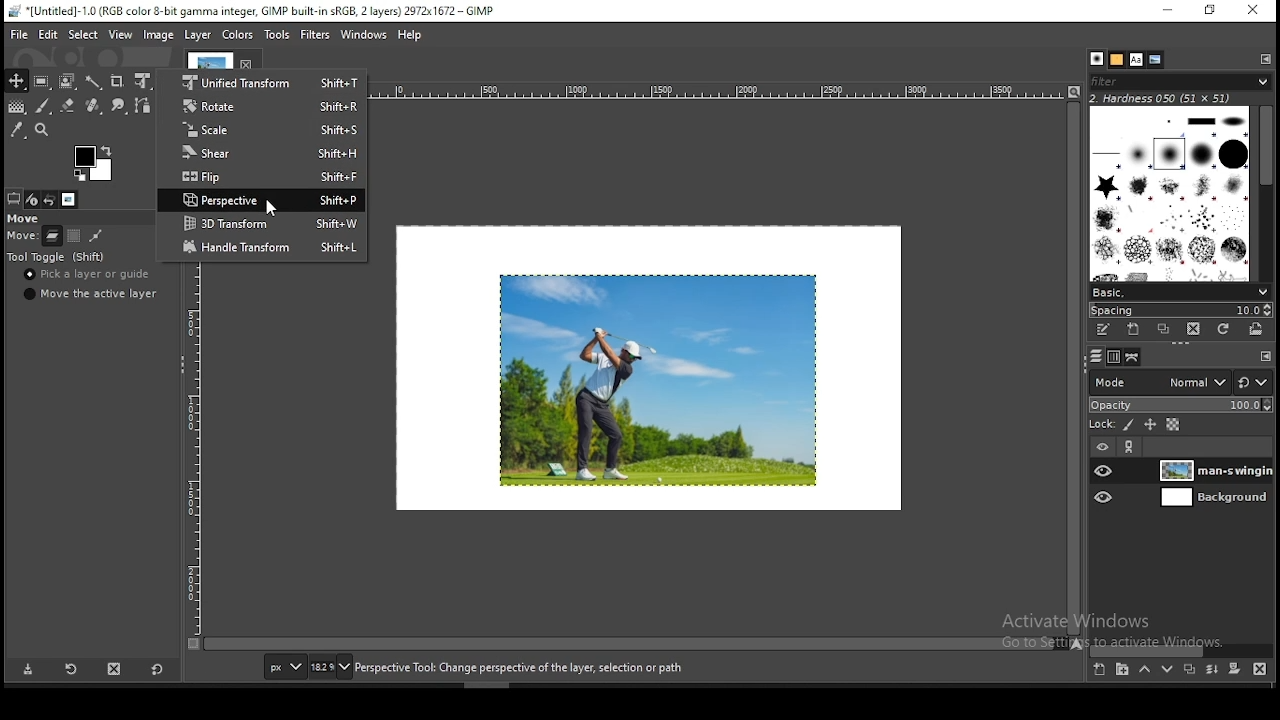 This screenshot has width=1280, height=720. I want to click on lock alpha channel, so click(1172, 426).